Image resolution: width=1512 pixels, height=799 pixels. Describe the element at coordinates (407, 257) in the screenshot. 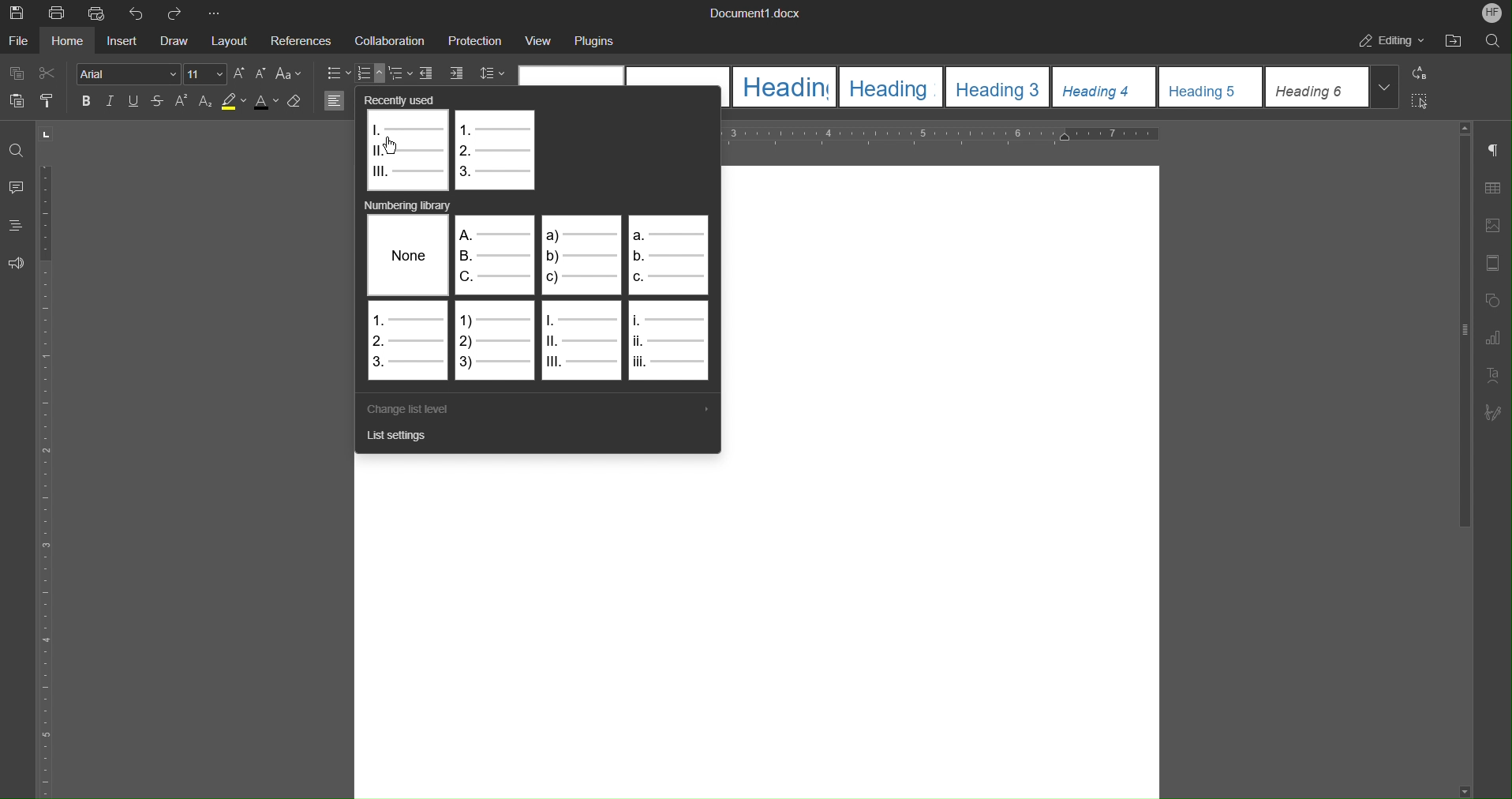

I see `None` at that location.